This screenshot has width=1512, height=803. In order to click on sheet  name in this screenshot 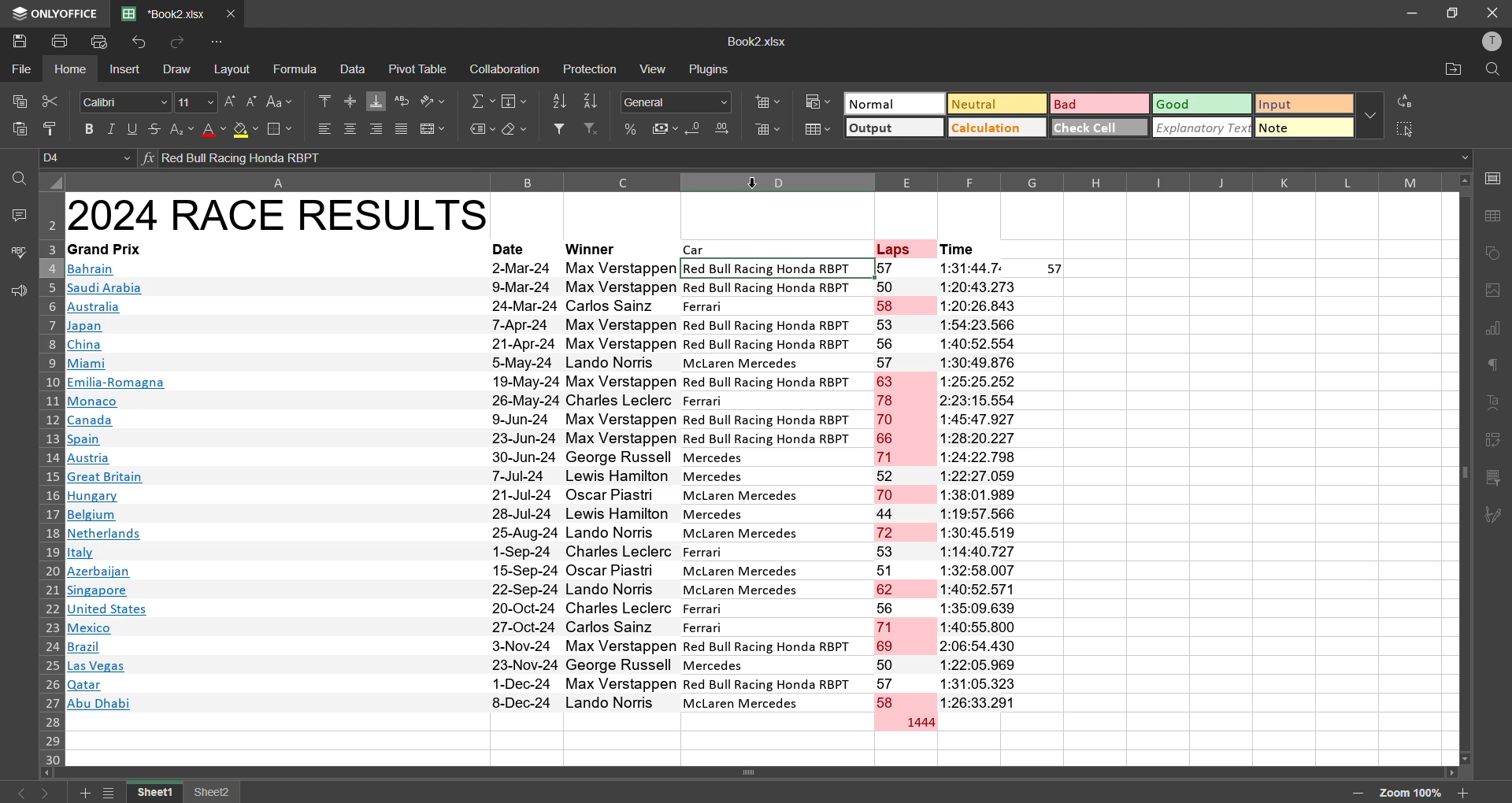, I will do `click(213, 794)`.